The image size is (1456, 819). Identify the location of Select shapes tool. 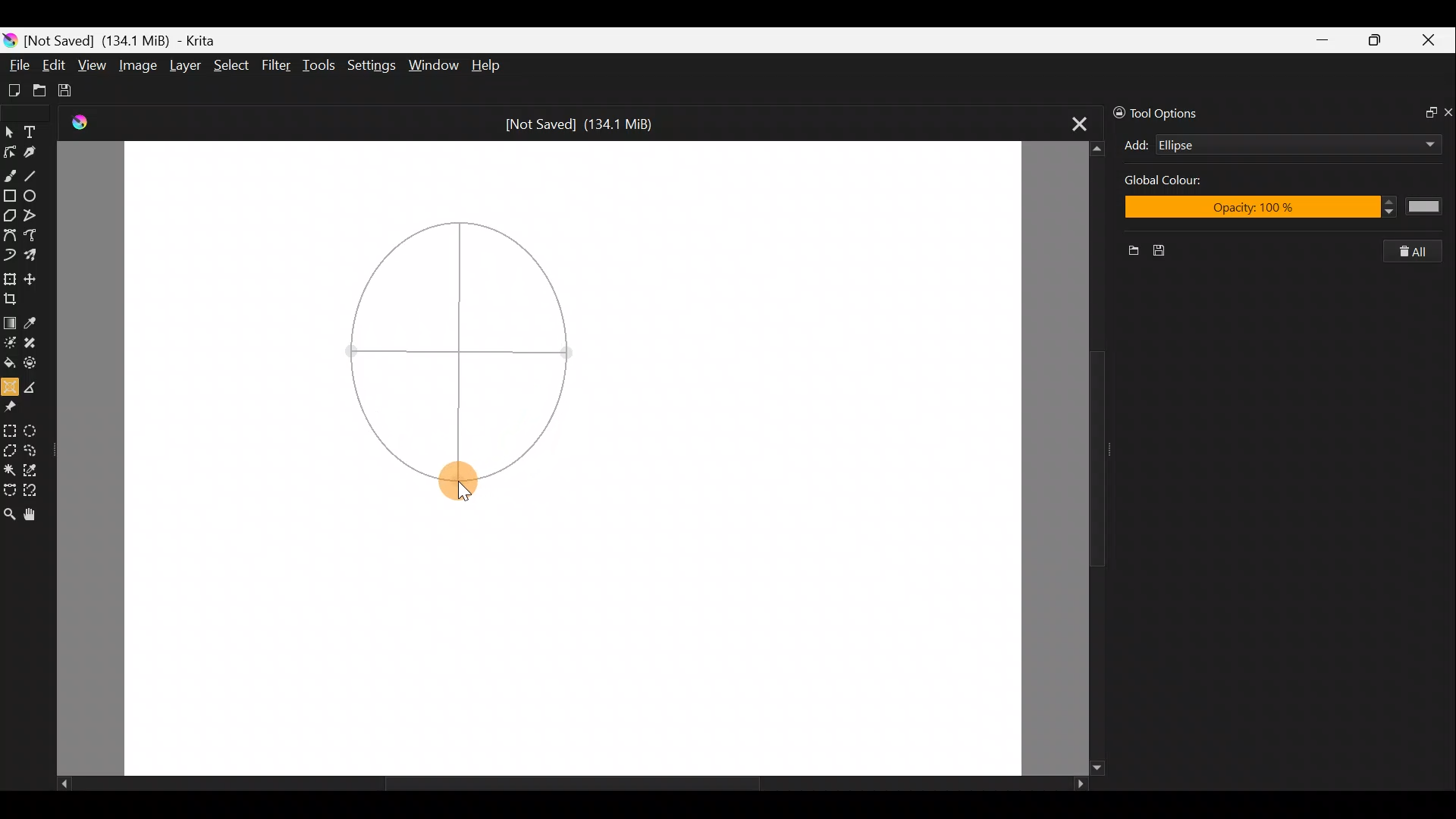
(10, 129).